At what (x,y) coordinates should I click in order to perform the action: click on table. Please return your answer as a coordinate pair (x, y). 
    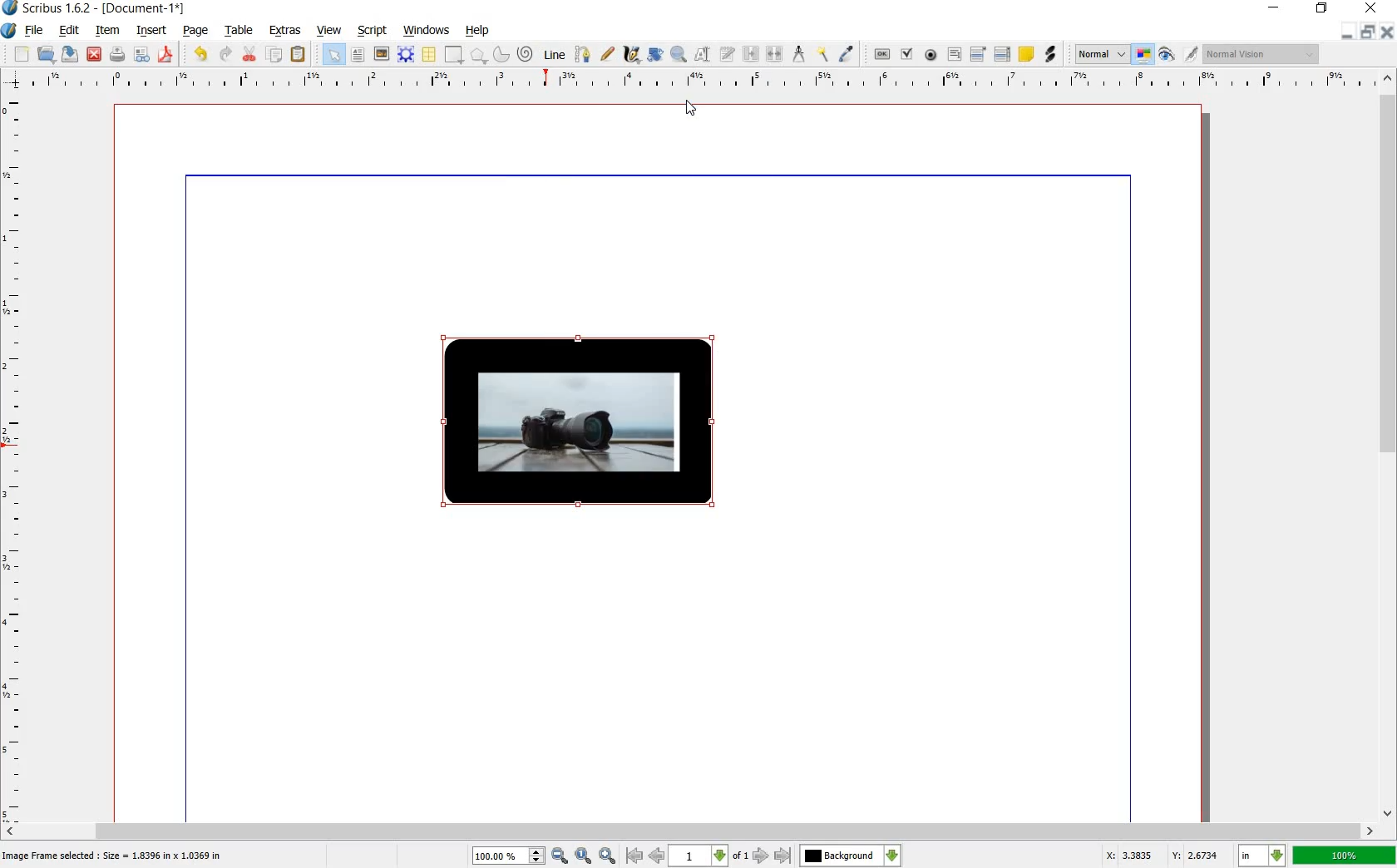
    Looking at the image, I should click on (427, 54).